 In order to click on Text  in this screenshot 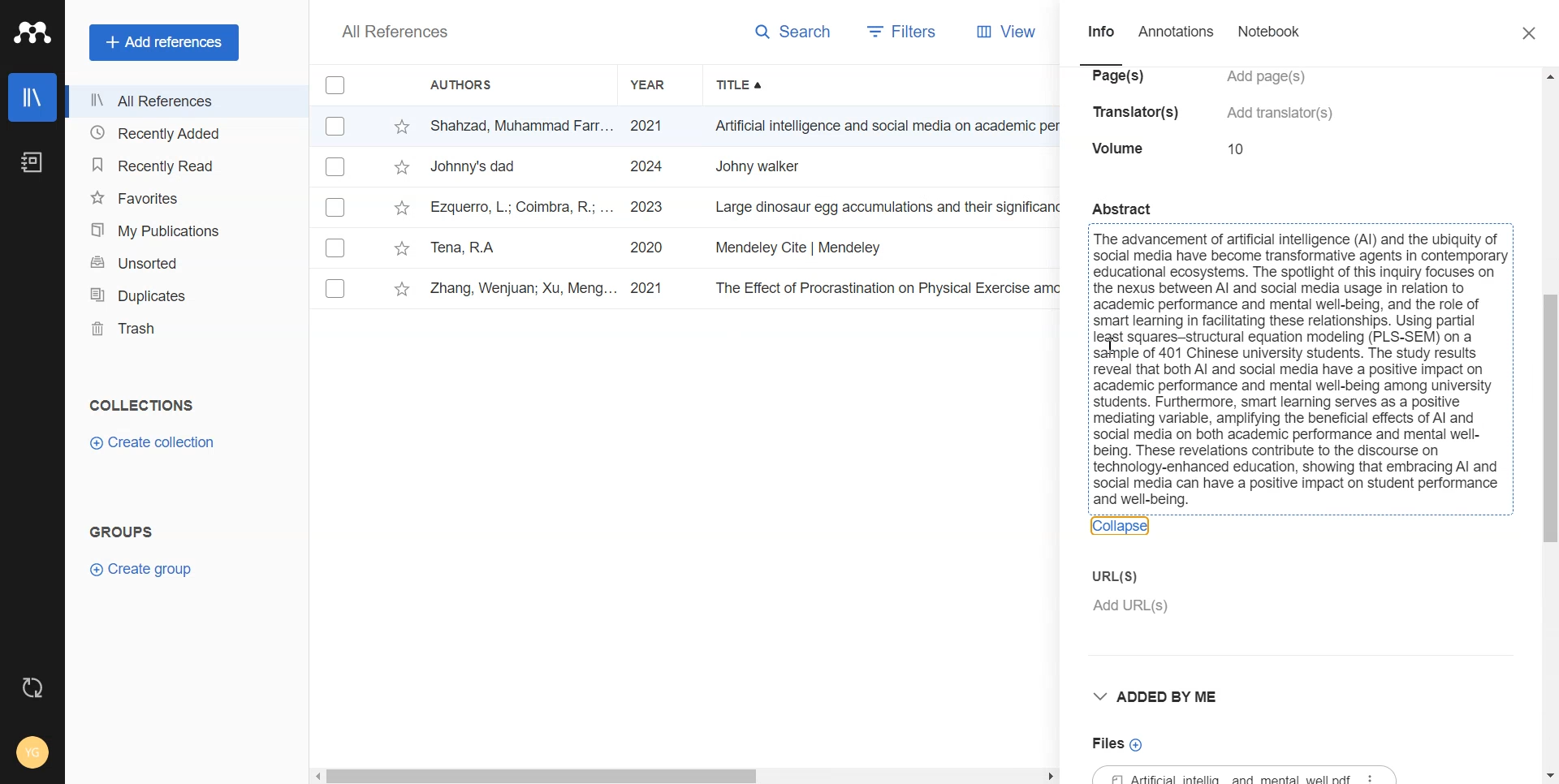, I will do `click(124, 532)`.